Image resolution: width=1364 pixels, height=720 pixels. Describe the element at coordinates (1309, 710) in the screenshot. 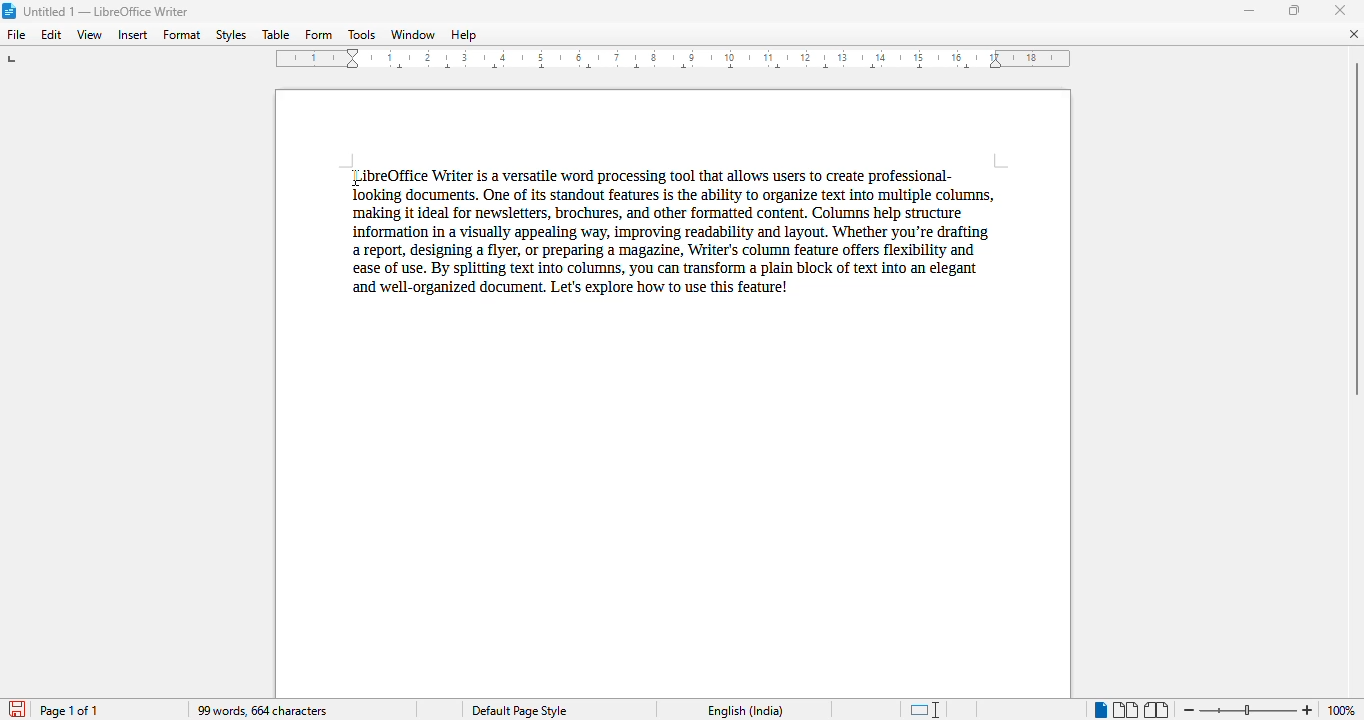

I see `zoom in` at that location.